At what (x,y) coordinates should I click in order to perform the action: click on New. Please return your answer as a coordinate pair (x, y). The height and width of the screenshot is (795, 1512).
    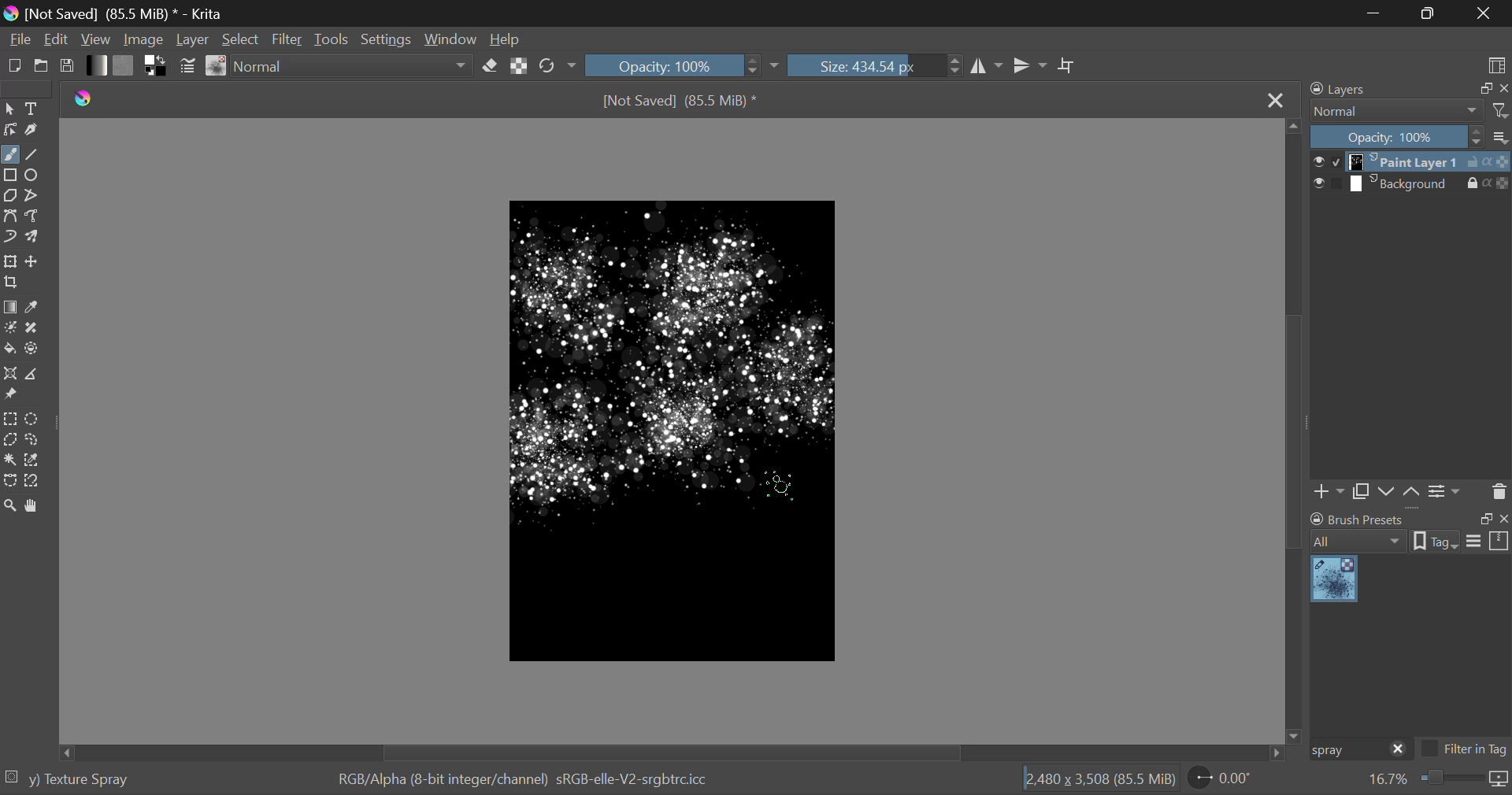
    Looking at the image, I should click on (14, 65).